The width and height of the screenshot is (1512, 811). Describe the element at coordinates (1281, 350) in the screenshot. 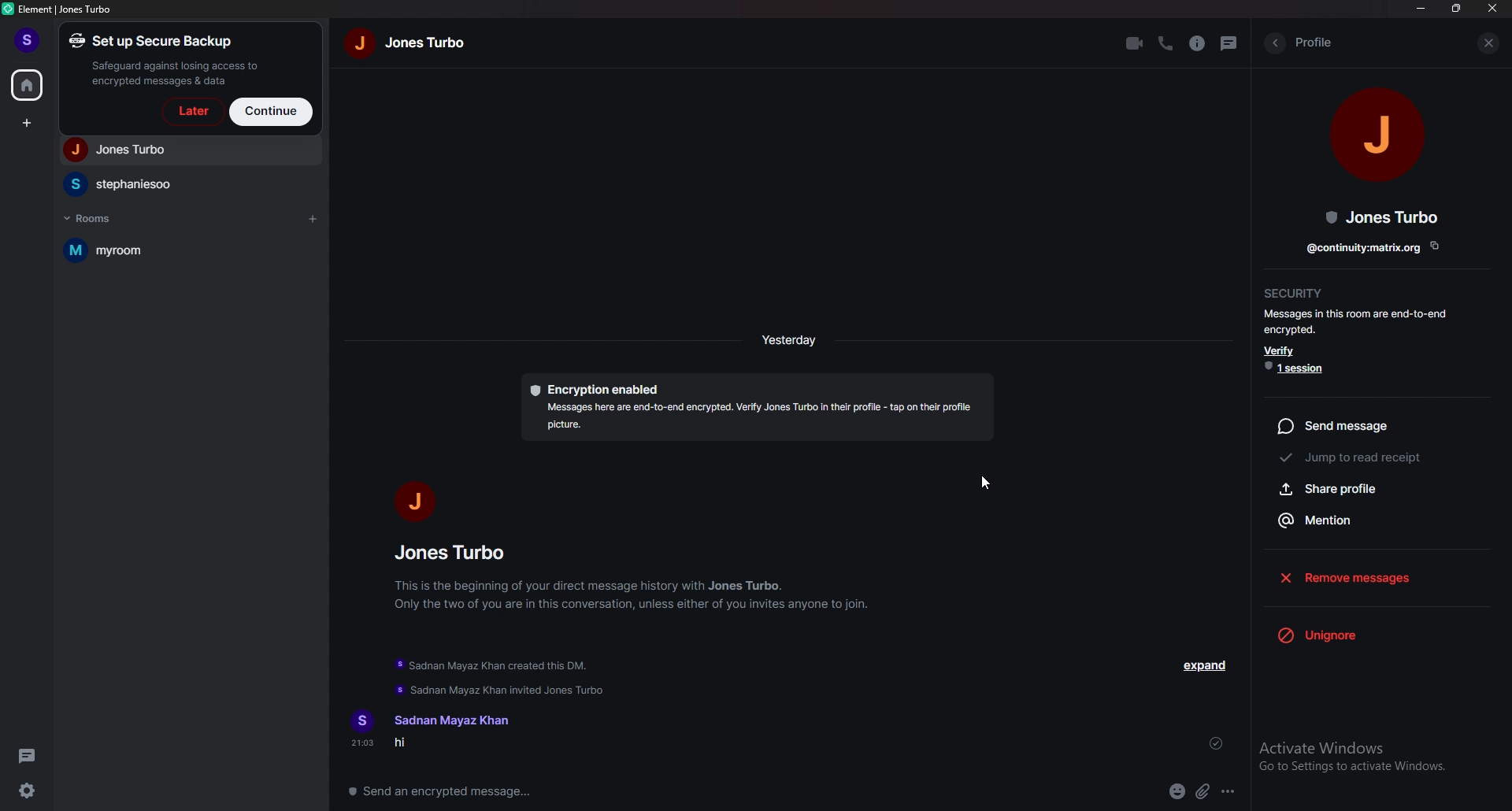

I see `verify` at that location.